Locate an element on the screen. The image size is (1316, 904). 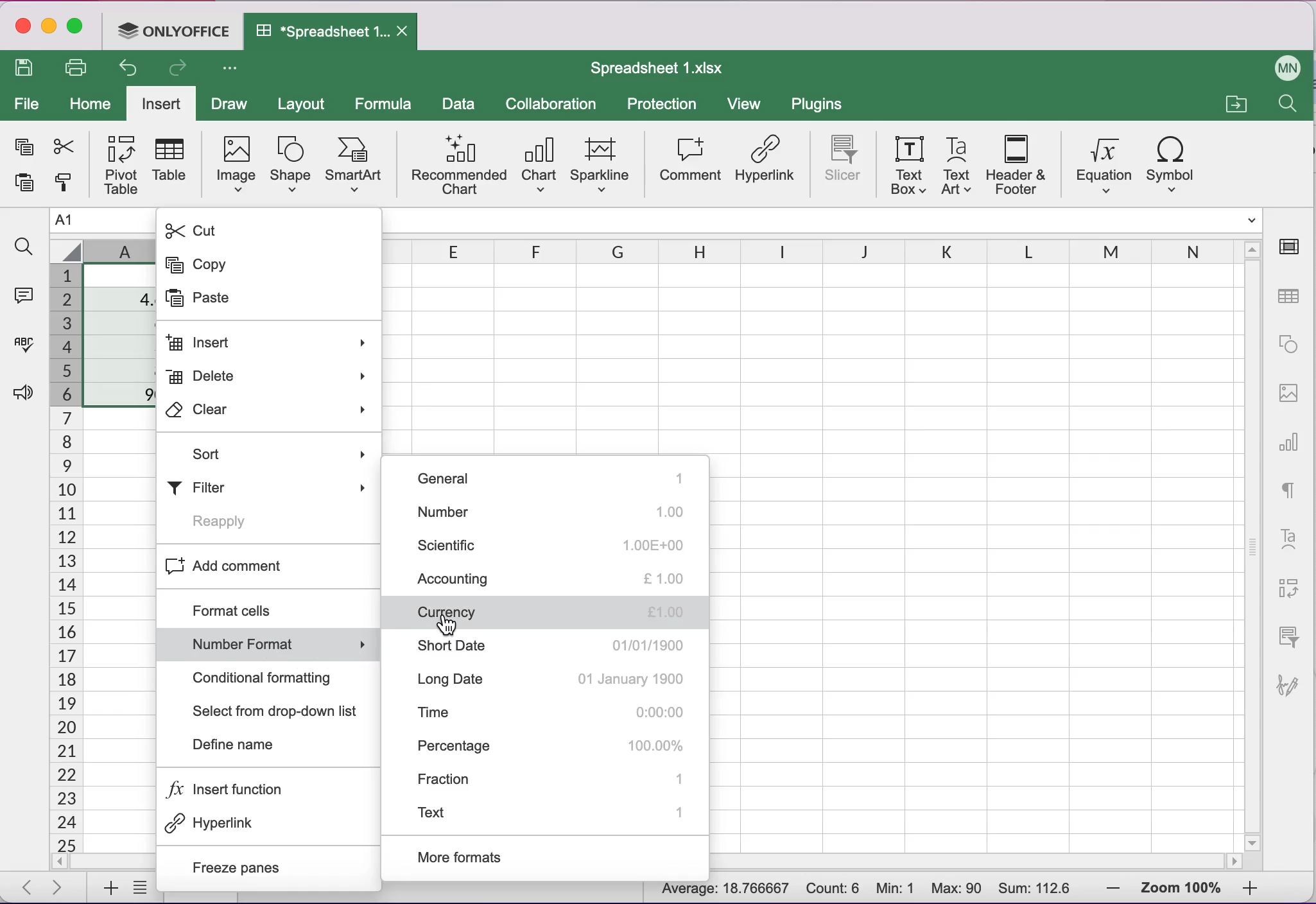
Clear is located at coordinates (268, 413).